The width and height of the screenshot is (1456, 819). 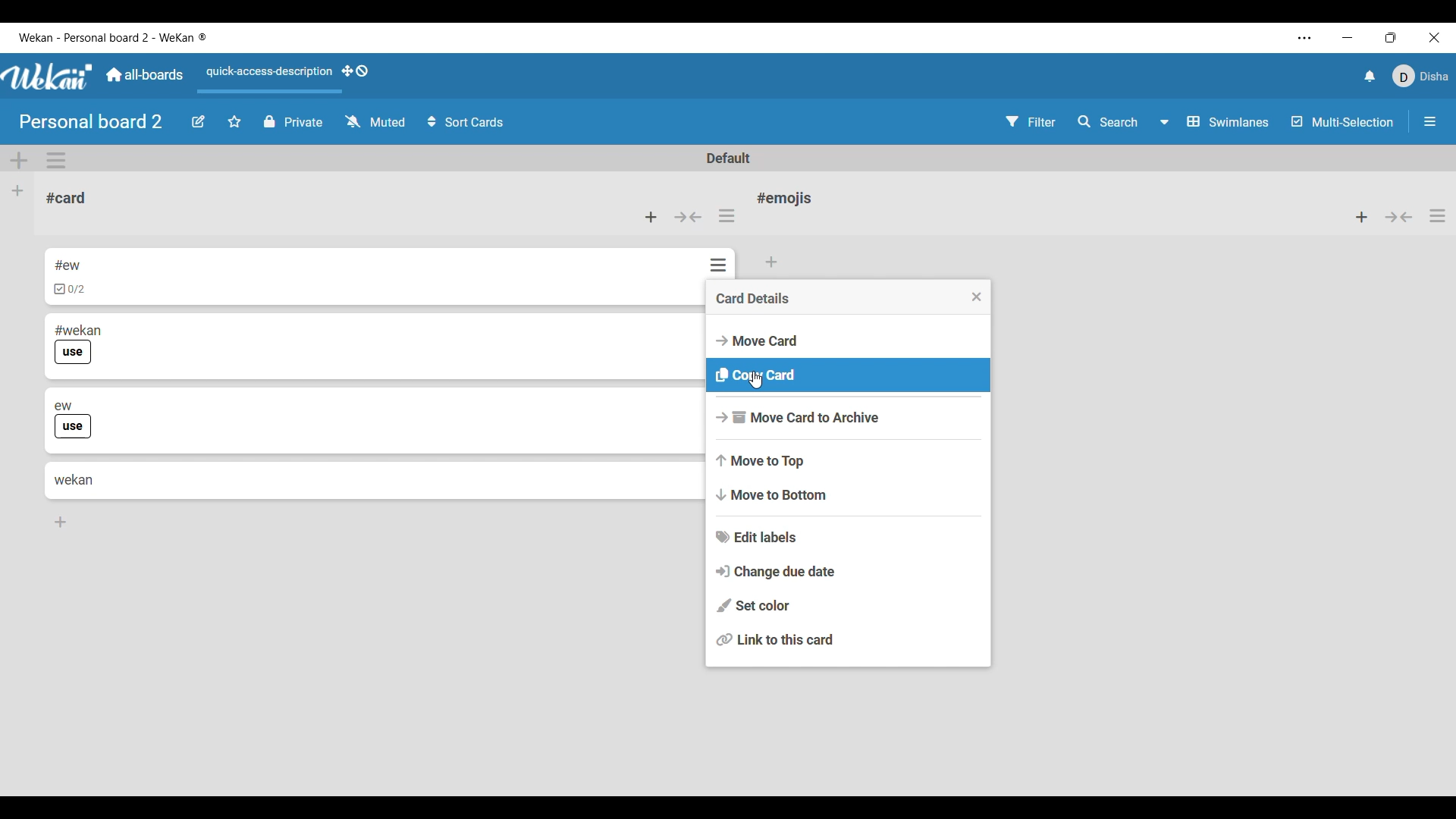 What do you see at coordinates (847, 606) in the screenshot?
I see `Set color` at bounding box center [847, 606].